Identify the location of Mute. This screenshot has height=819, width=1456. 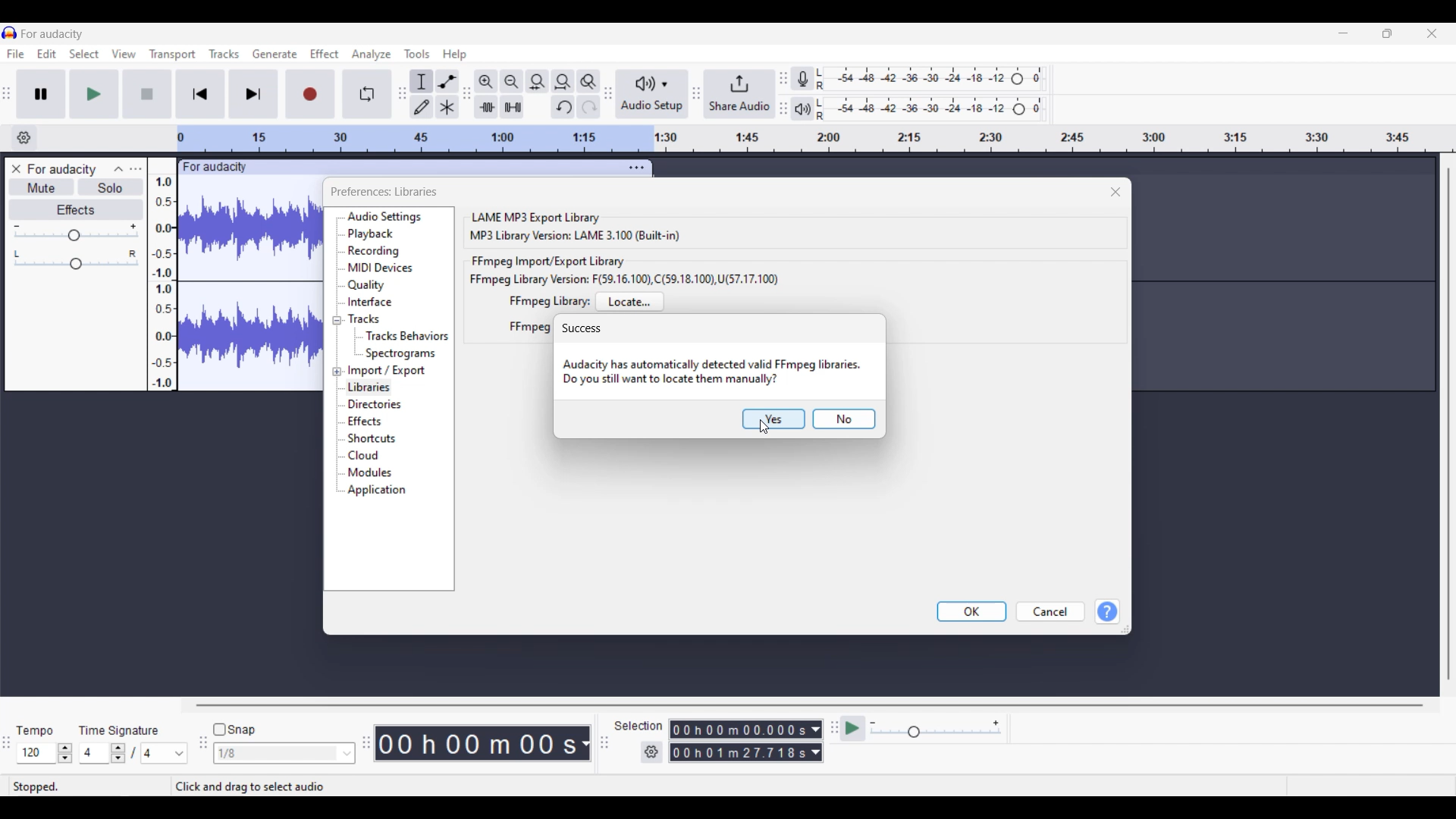
(42, 187).